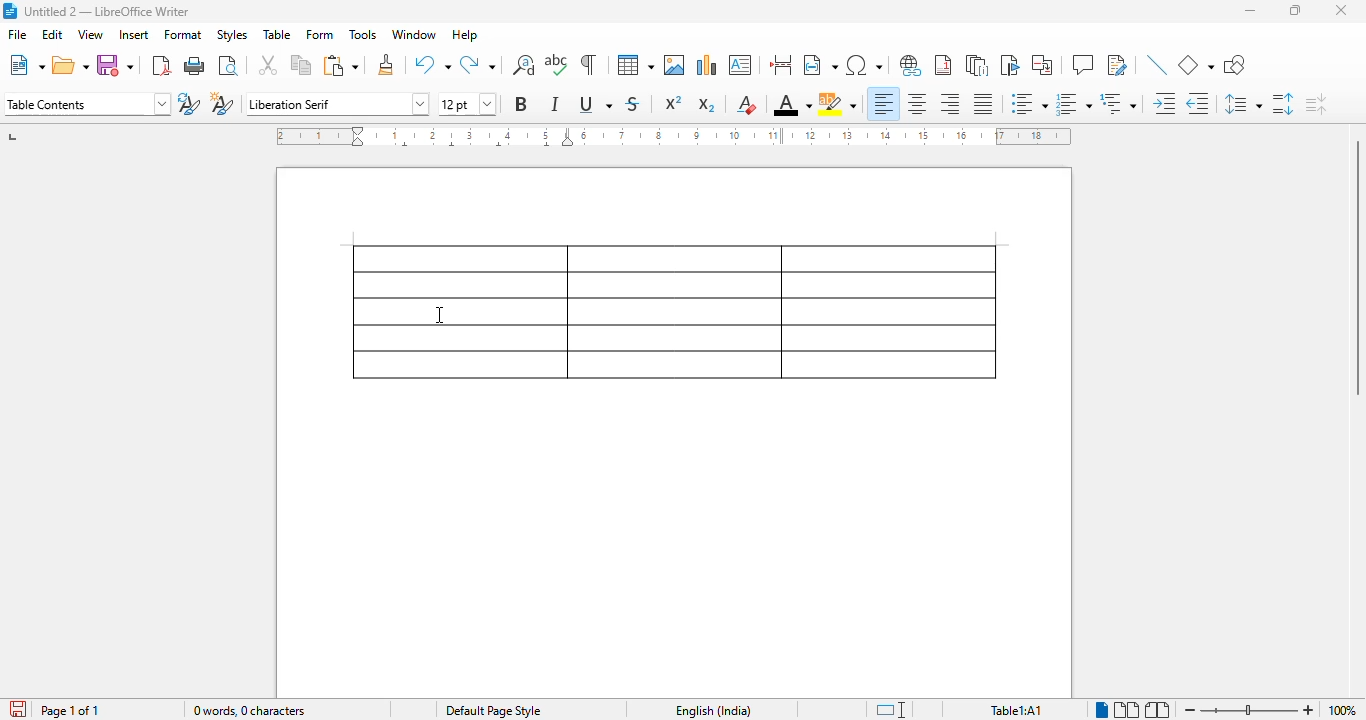 The width and height of the screenshot is (1366, 720). Describe the element at coordinates (706, 105) in the screenshot. I see `subscript` at that location.